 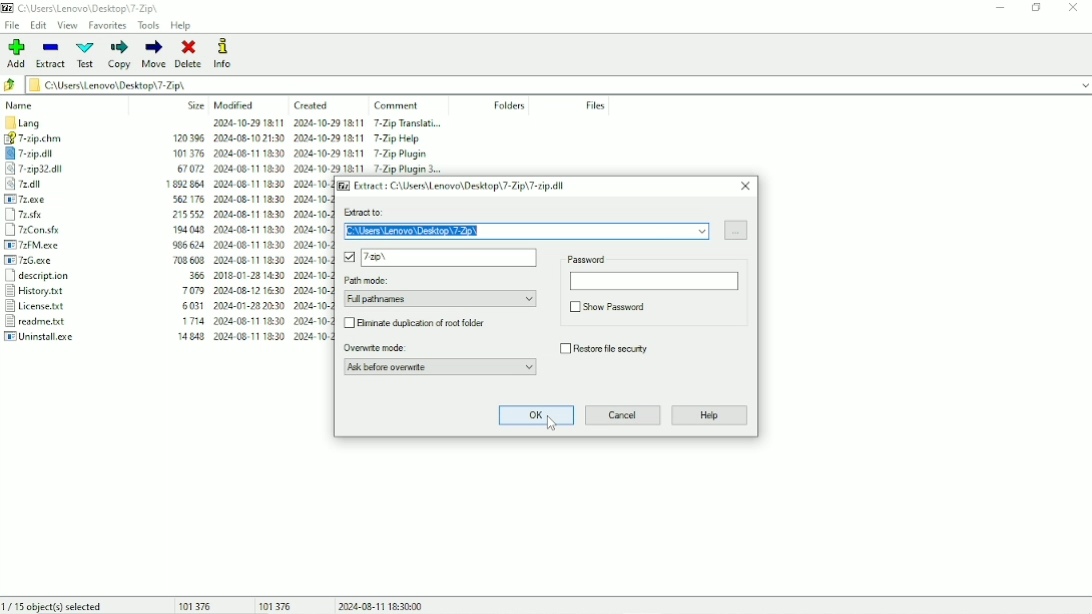 What do you see at coordinates (440, 359) in the screenshot?
I see `Overwrite mode:` at bounding box center [440, 359].